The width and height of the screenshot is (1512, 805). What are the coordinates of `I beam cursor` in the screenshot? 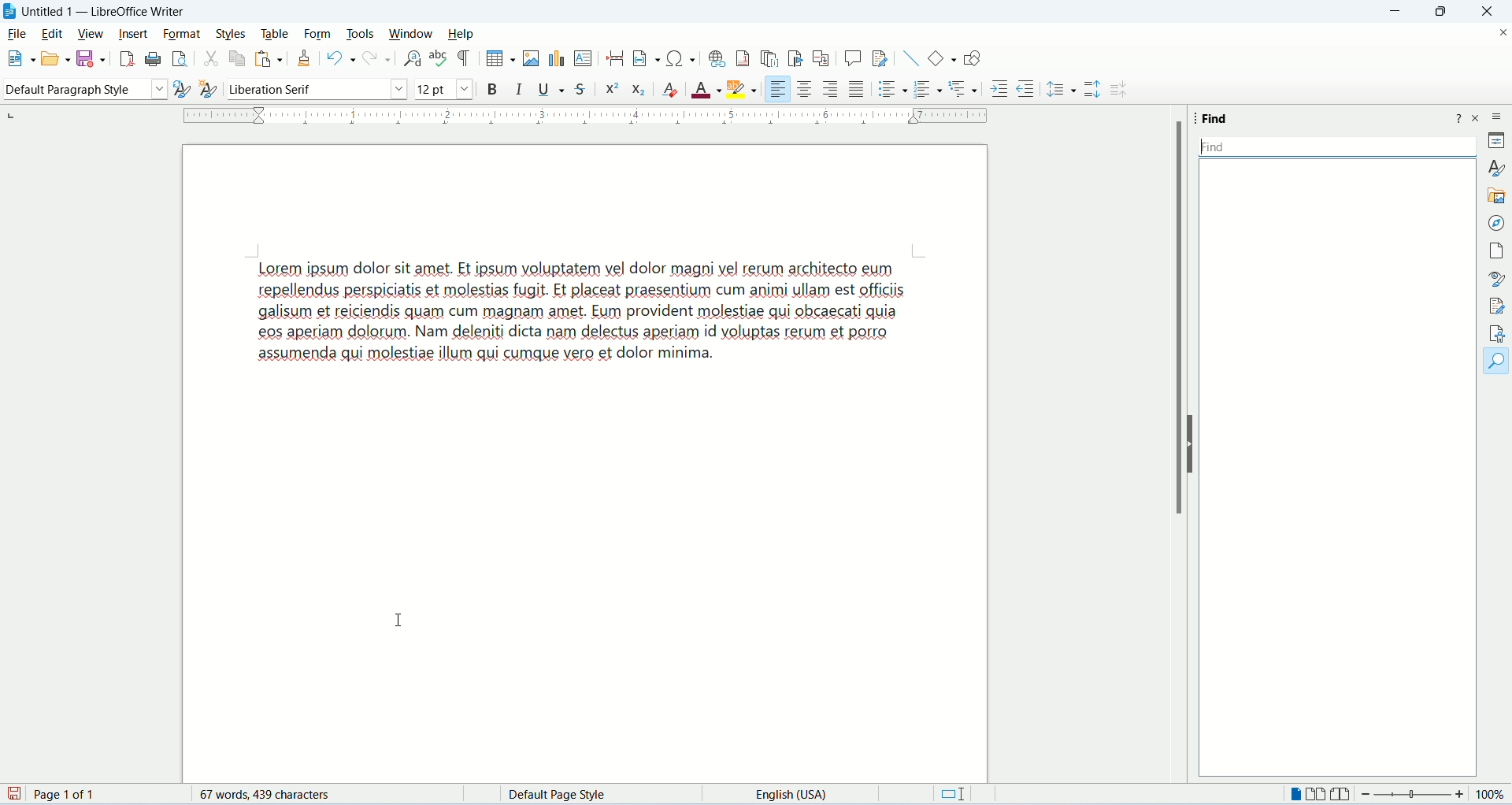 It's located at (400, 620).